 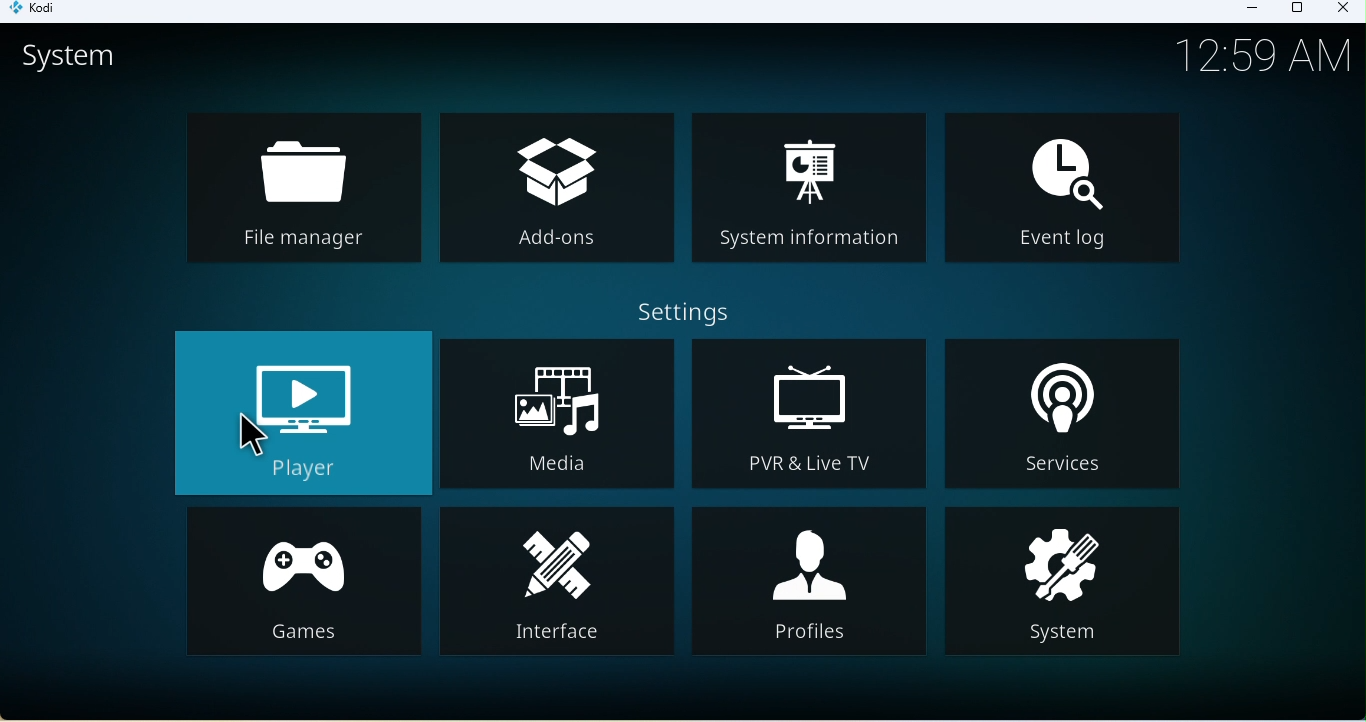 What do you see at coordinates (684, 312) in the screenshot?
I see `Settings` at bounding box center [684, 312].